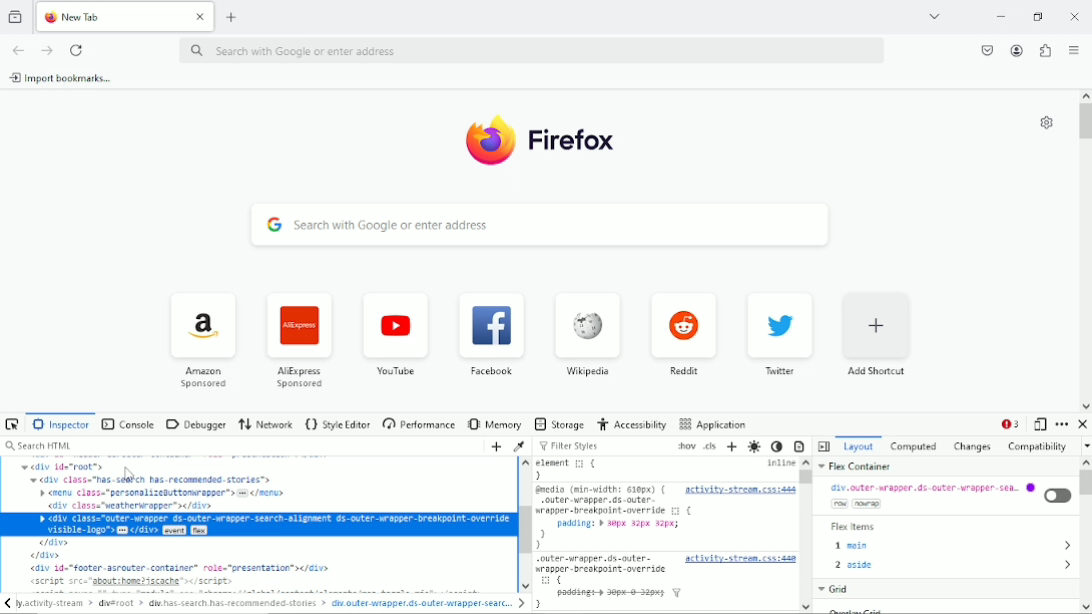  I want to click on Restore down, so click(1038, 17).